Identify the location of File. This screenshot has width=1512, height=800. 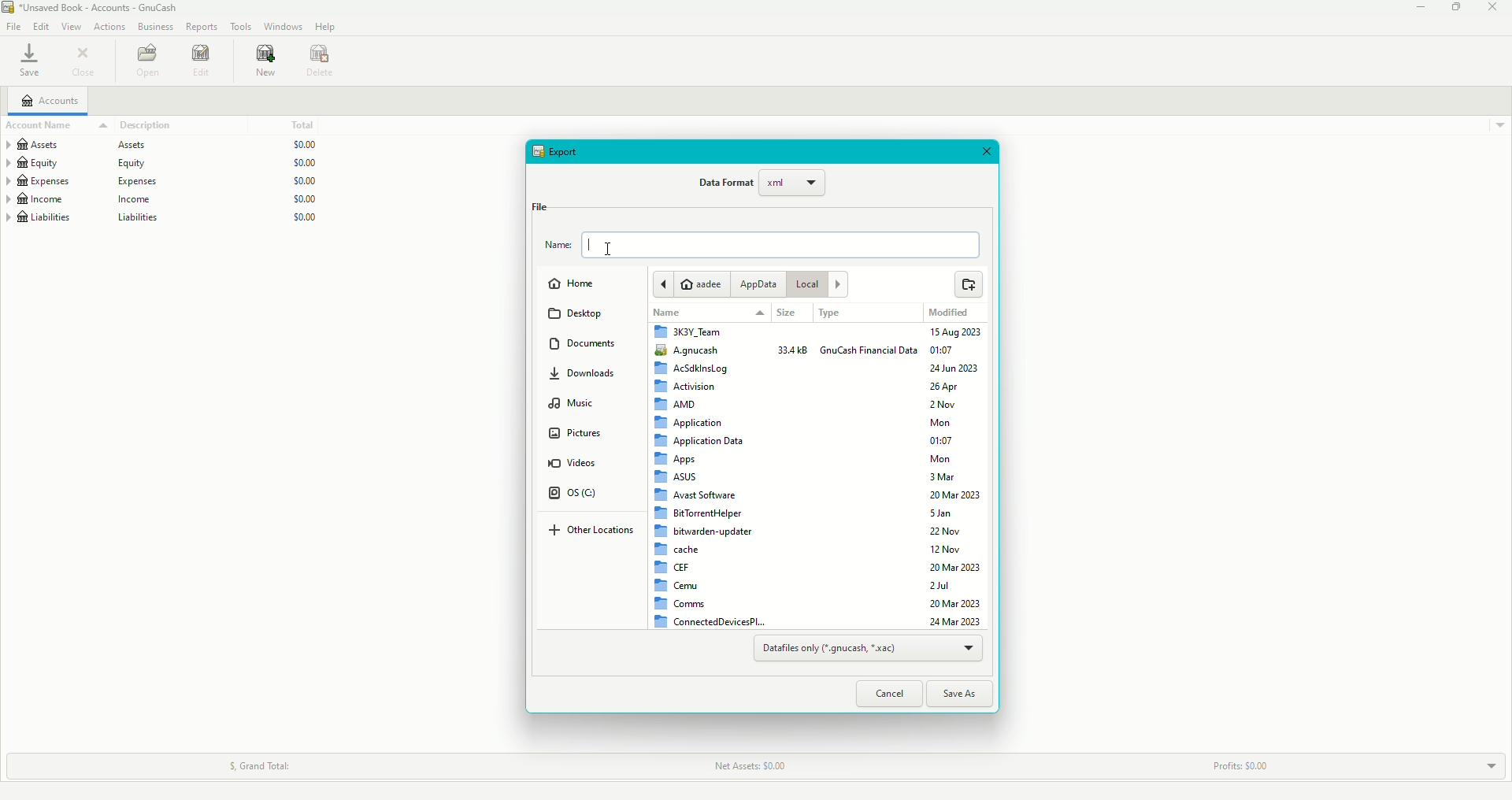
(539, 206).